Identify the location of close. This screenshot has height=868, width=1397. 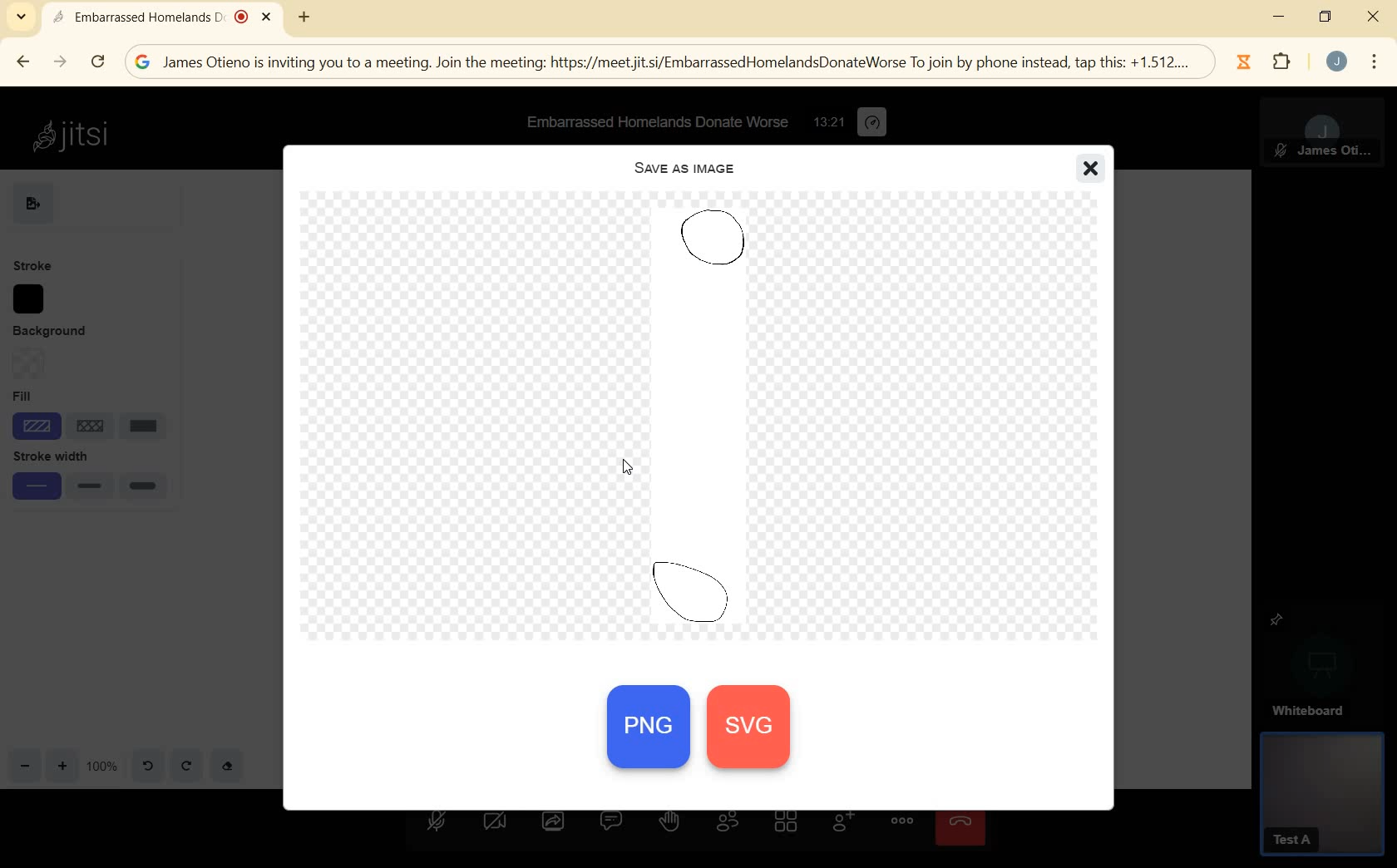
(1372, 17).